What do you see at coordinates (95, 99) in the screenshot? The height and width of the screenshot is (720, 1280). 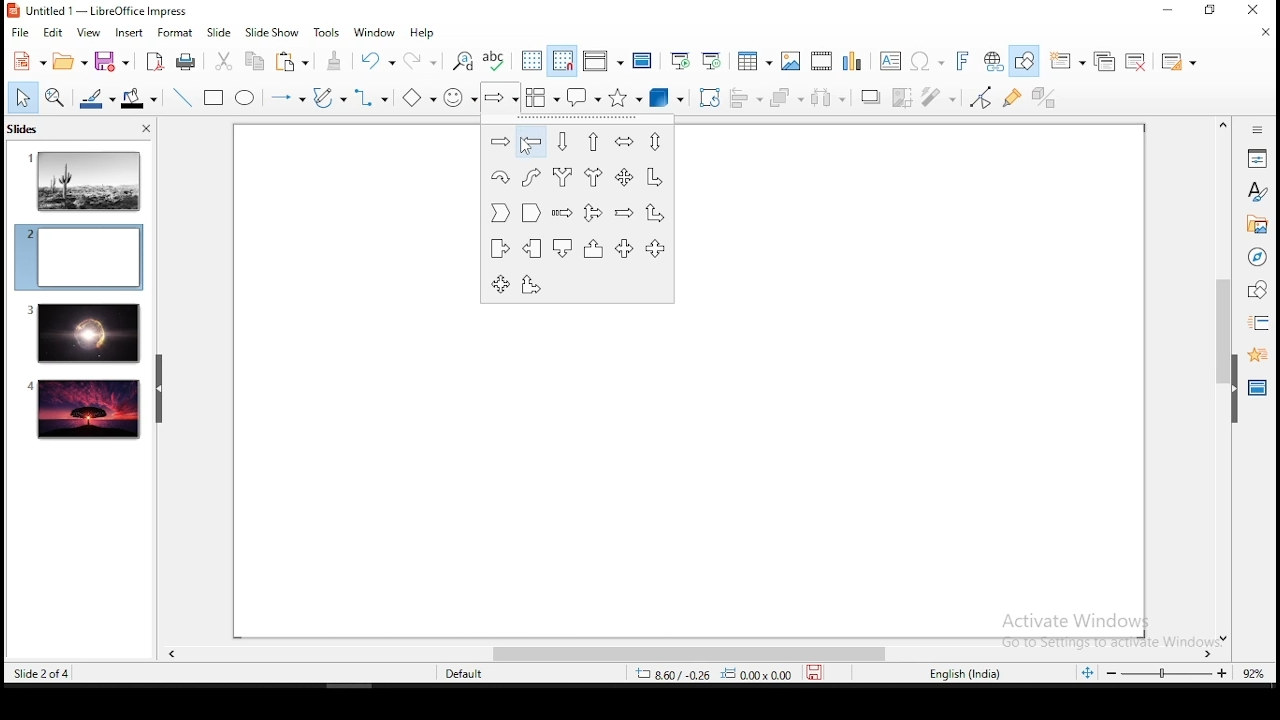 I see `line fill` at bounding box center [95, 99].